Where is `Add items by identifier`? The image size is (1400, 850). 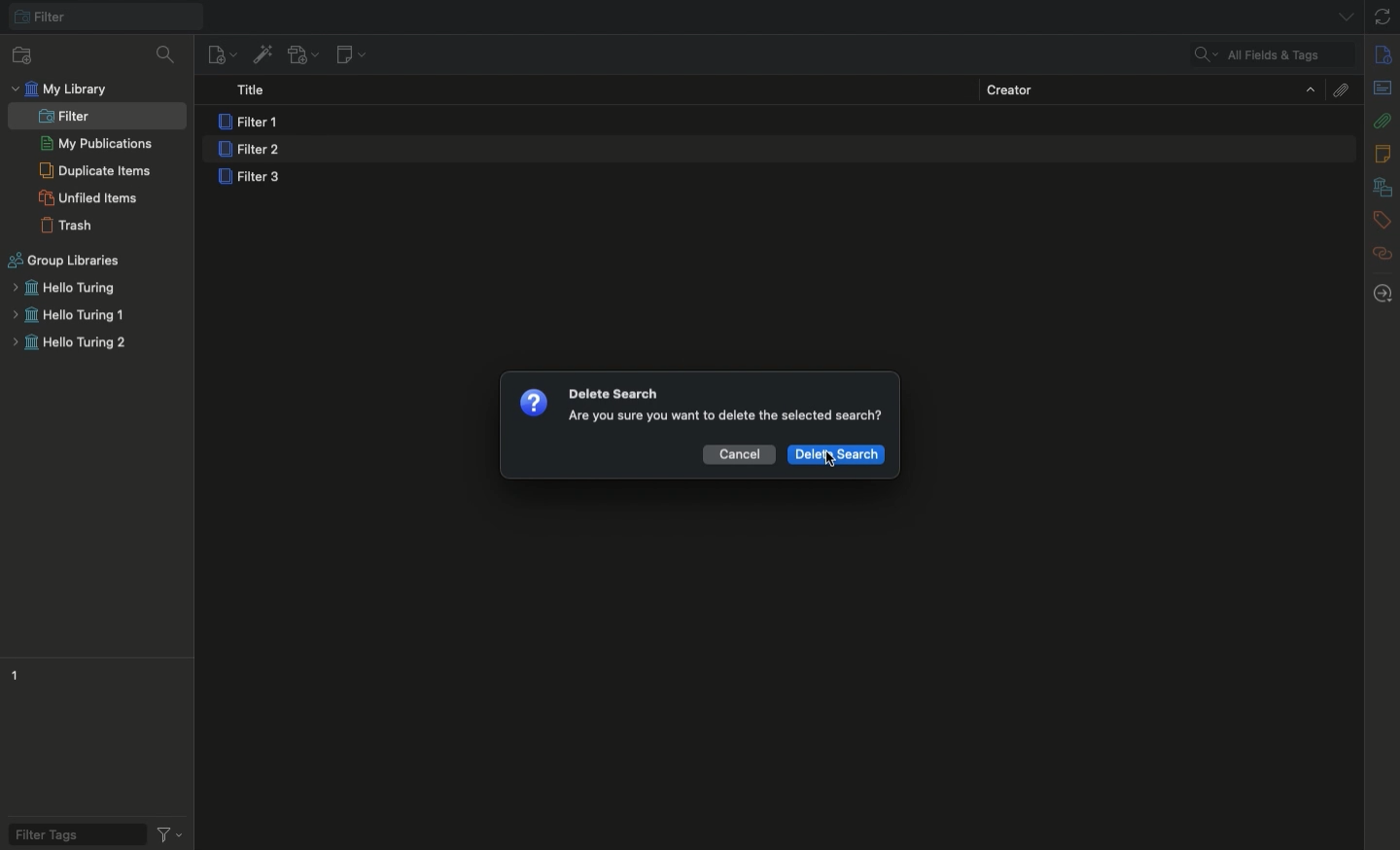
Add items by identifier is located at coordinates (262, 54).